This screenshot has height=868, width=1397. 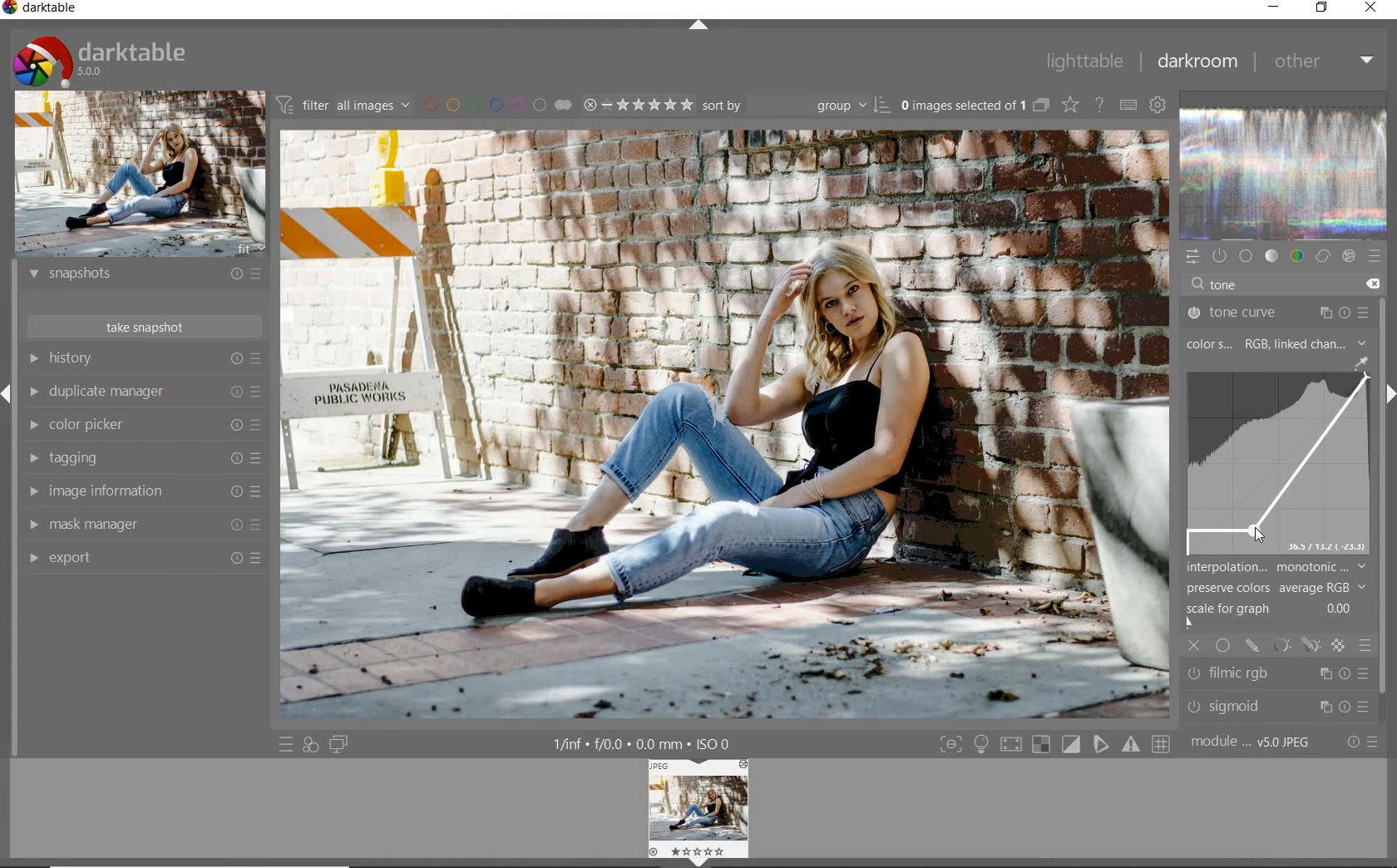 What do you see at coordinates (1159, 106) in the screenshot?
I see `show global preferences` at bounding box center [1159, 106].